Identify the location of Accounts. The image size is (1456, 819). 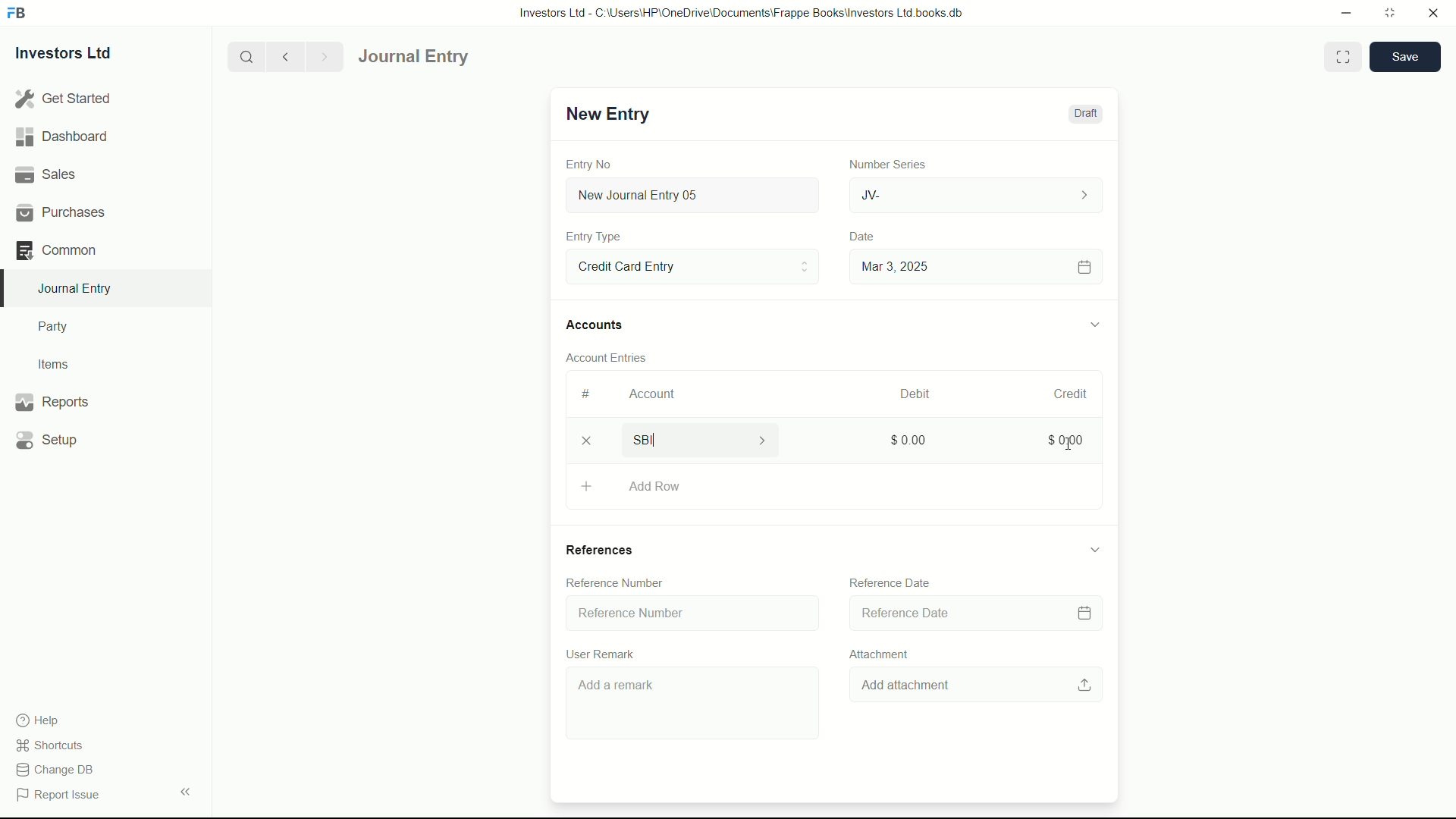
(598, 325).